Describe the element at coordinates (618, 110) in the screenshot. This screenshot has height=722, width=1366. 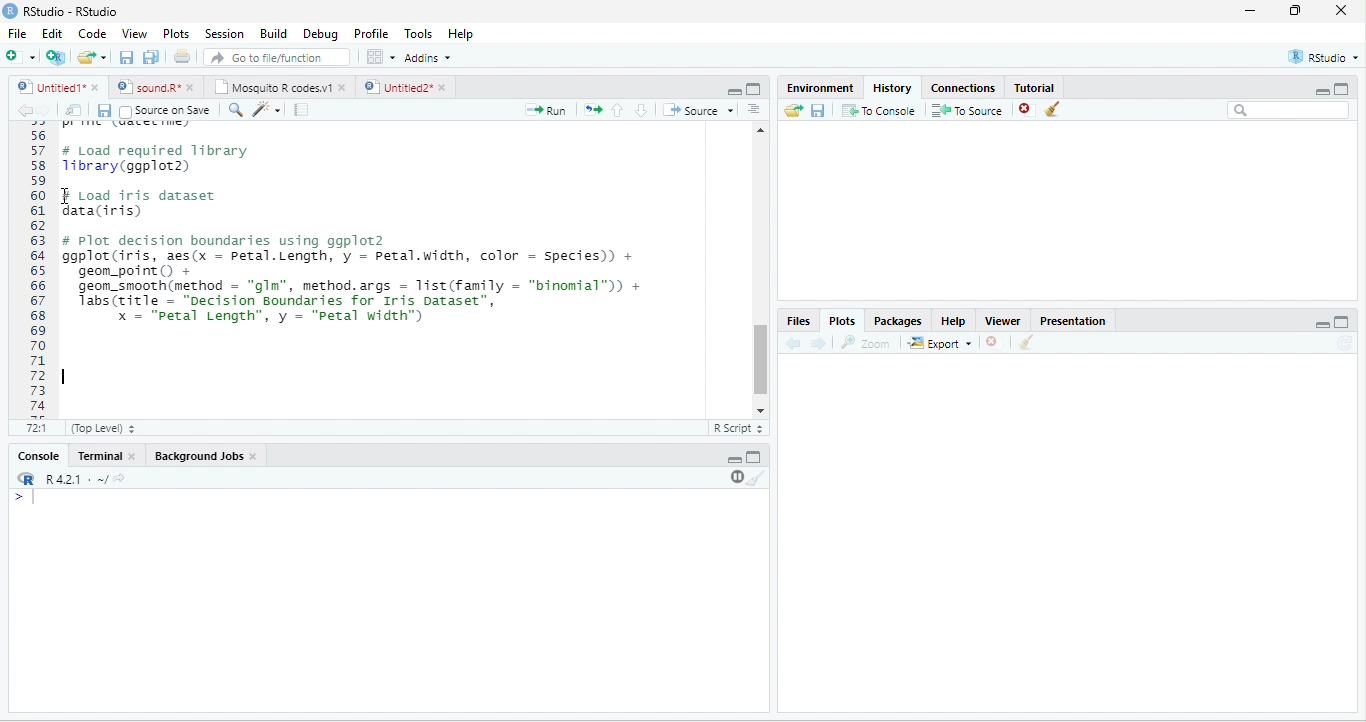
I see `up` at that location.